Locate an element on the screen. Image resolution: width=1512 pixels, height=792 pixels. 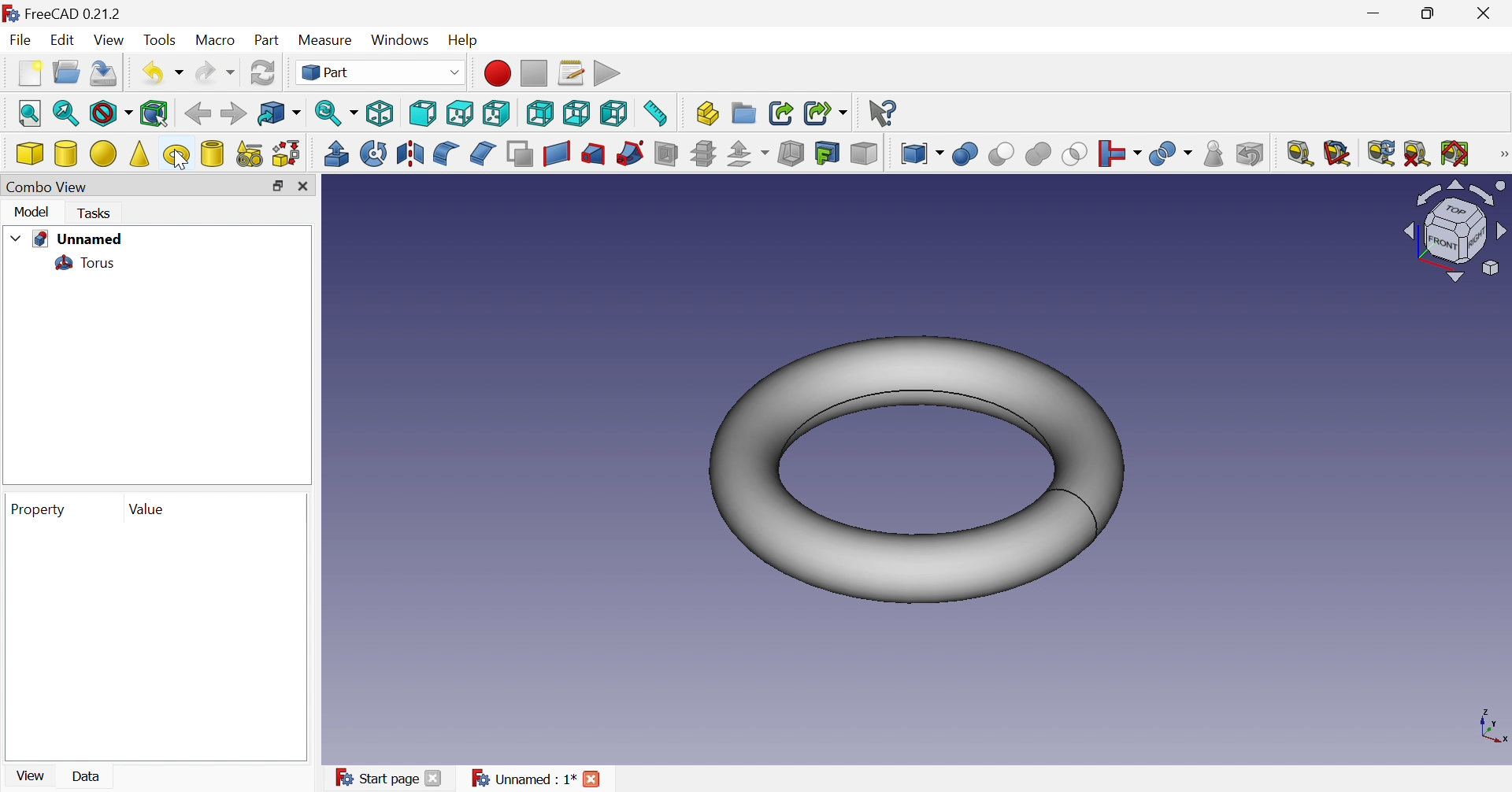
Toggle all is located at coordinates (1455, 152).